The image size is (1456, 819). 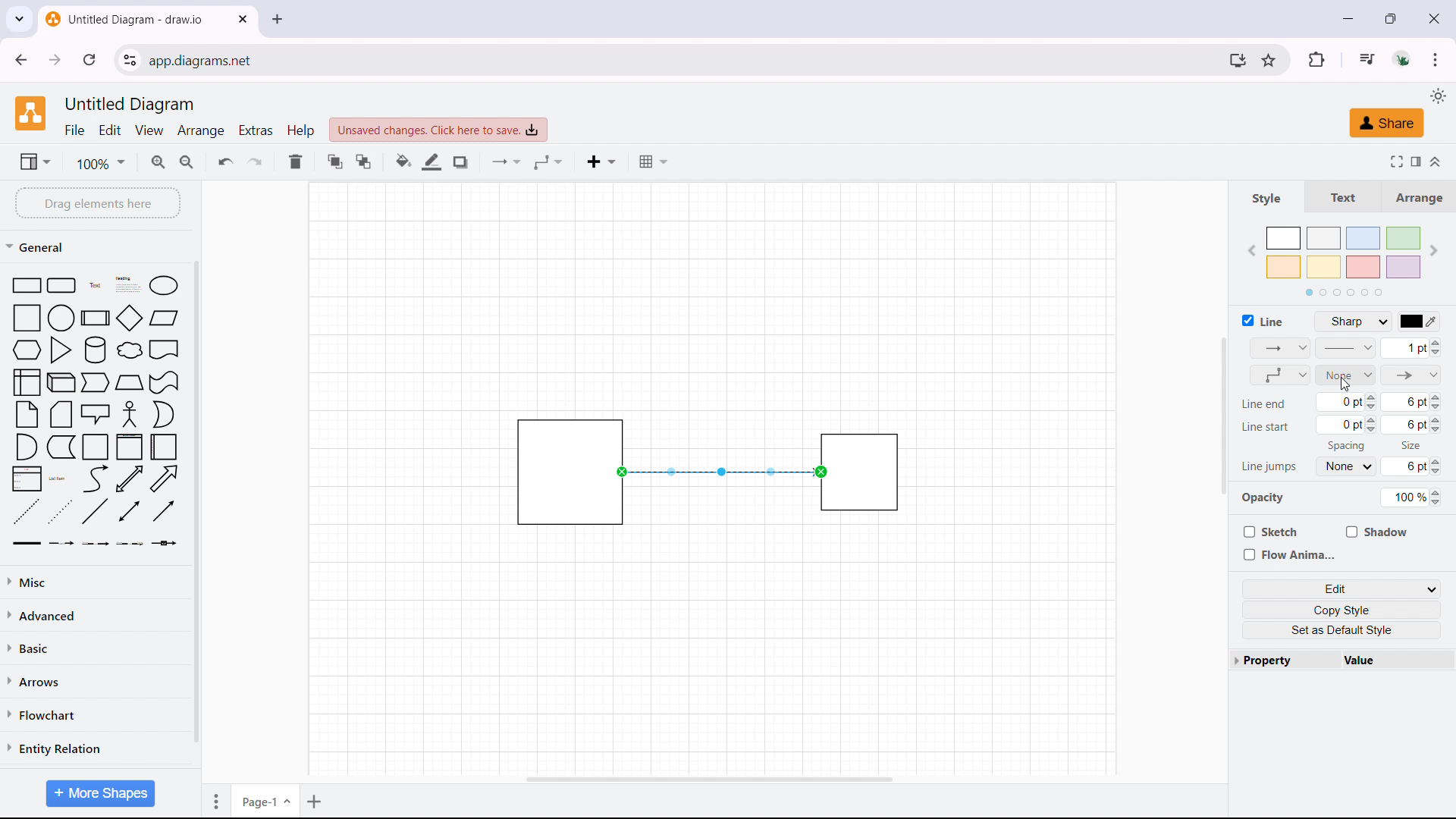 What do you see at coordinates (1438, 160) in the screenshot?
I see `collapse/expand` at bounding box center [1438, 160].